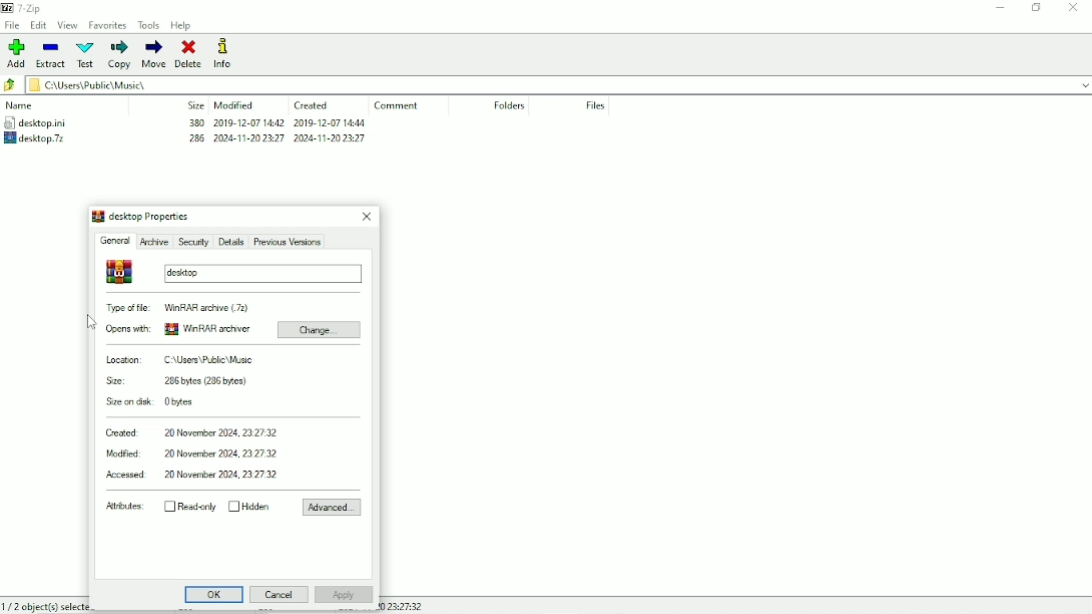 The height and width of the screenshot is (614, 1092). What do you see at coordinates (109, 26) in the screenshot?
I see `Favorites` at bounding box center [109, 26].